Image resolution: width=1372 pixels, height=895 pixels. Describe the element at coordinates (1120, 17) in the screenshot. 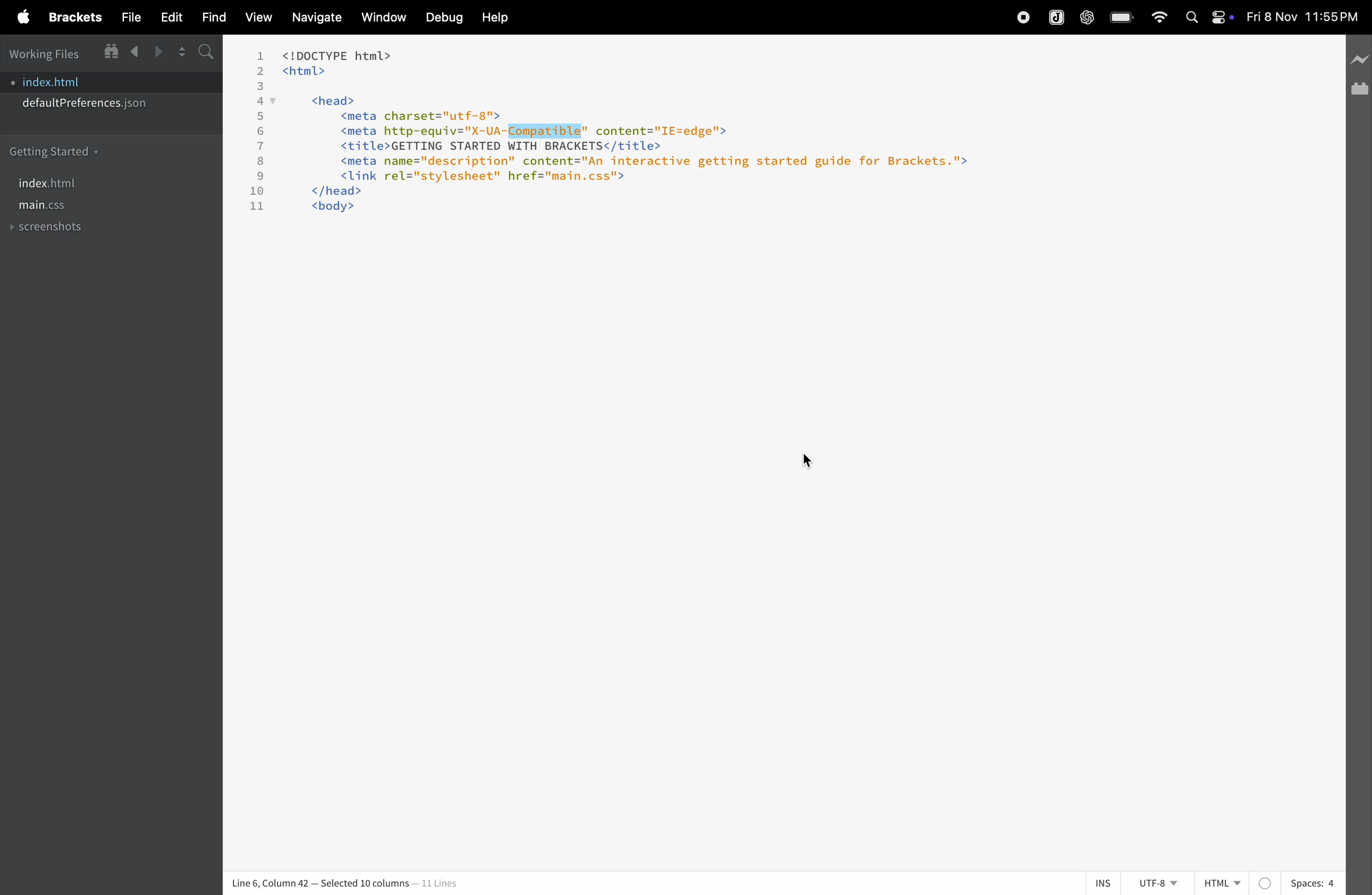

I see `battery` at that location.